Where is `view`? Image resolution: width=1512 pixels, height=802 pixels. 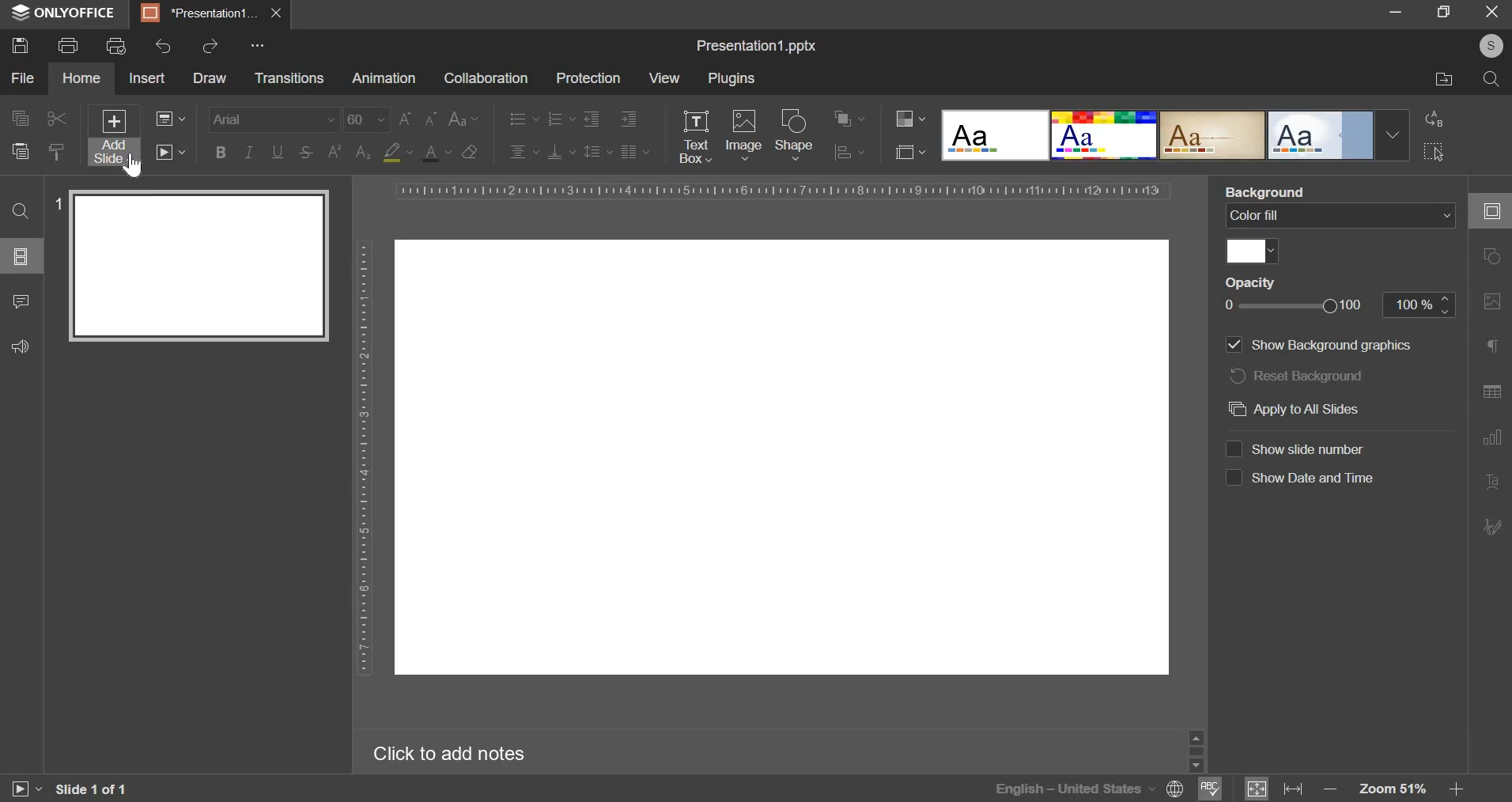 view is located at coordinates (663, 78).